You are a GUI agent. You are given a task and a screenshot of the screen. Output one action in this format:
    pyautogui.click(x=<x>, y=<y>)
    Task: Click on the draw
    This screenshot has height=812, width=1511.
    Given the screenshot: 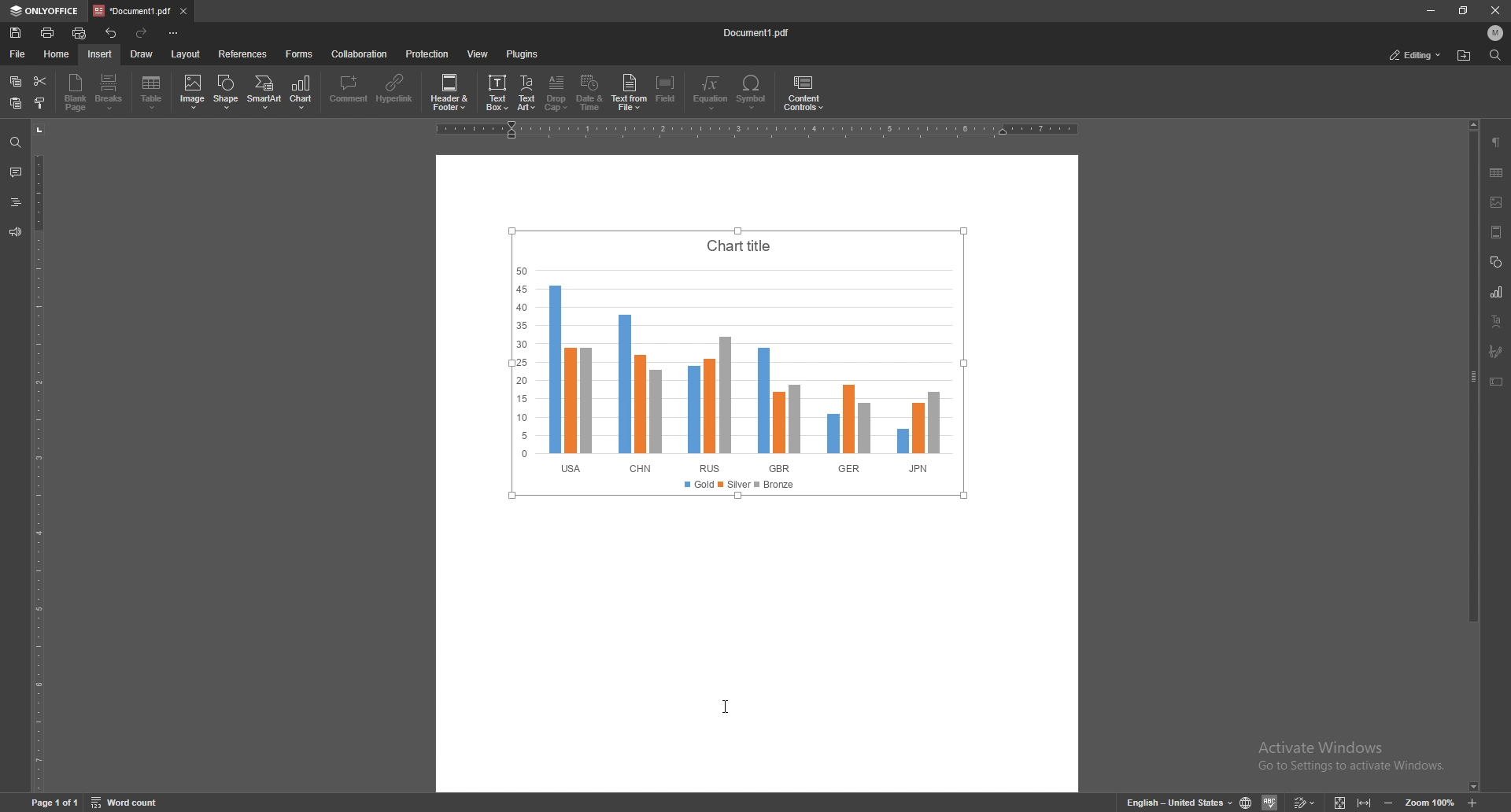 What is the action you would take?
    pyautogui.click(x=143, y=54)
    